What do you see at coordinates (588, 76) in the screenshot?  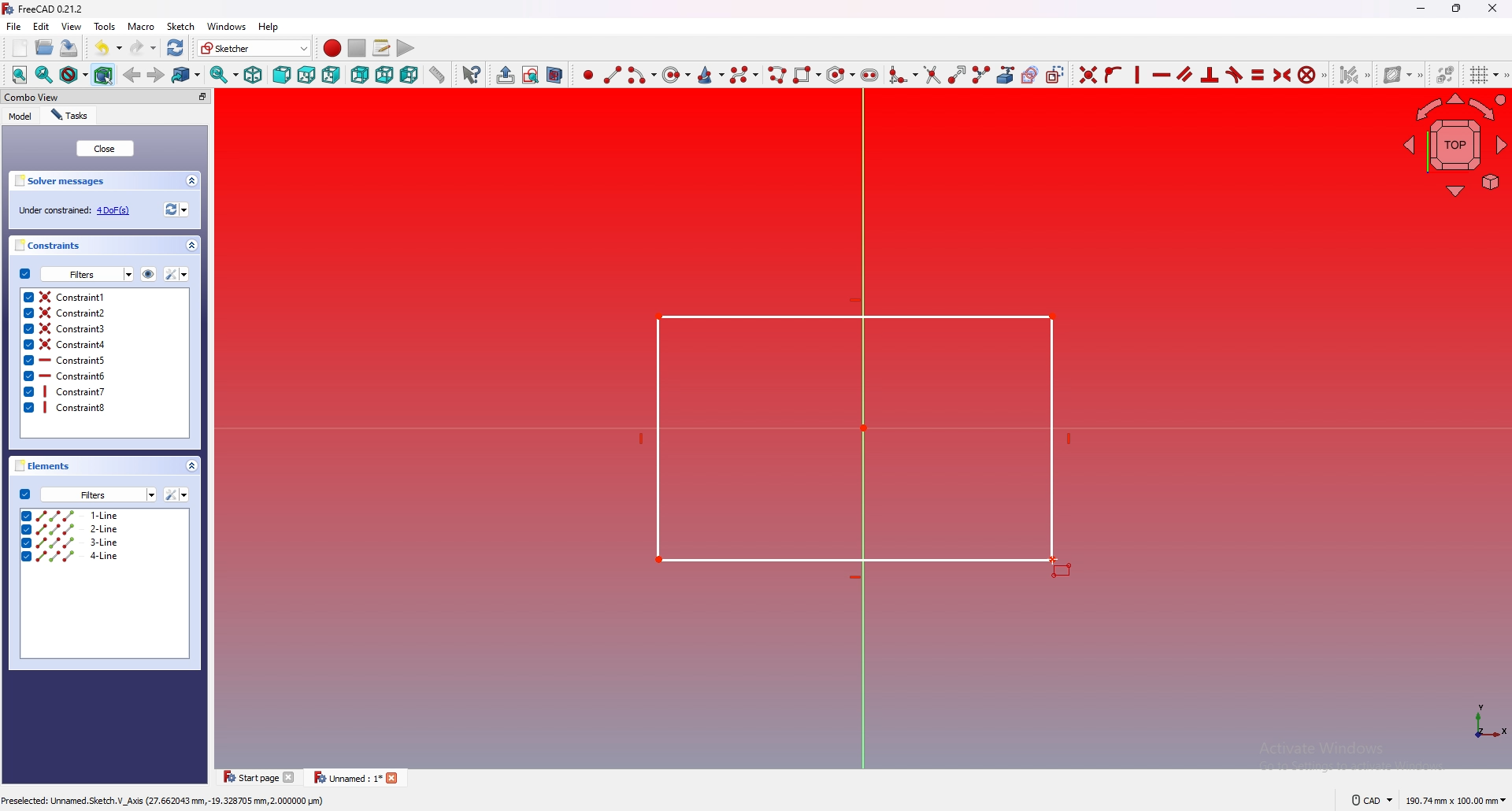 I see `create point` at bounding box center [588, 76].